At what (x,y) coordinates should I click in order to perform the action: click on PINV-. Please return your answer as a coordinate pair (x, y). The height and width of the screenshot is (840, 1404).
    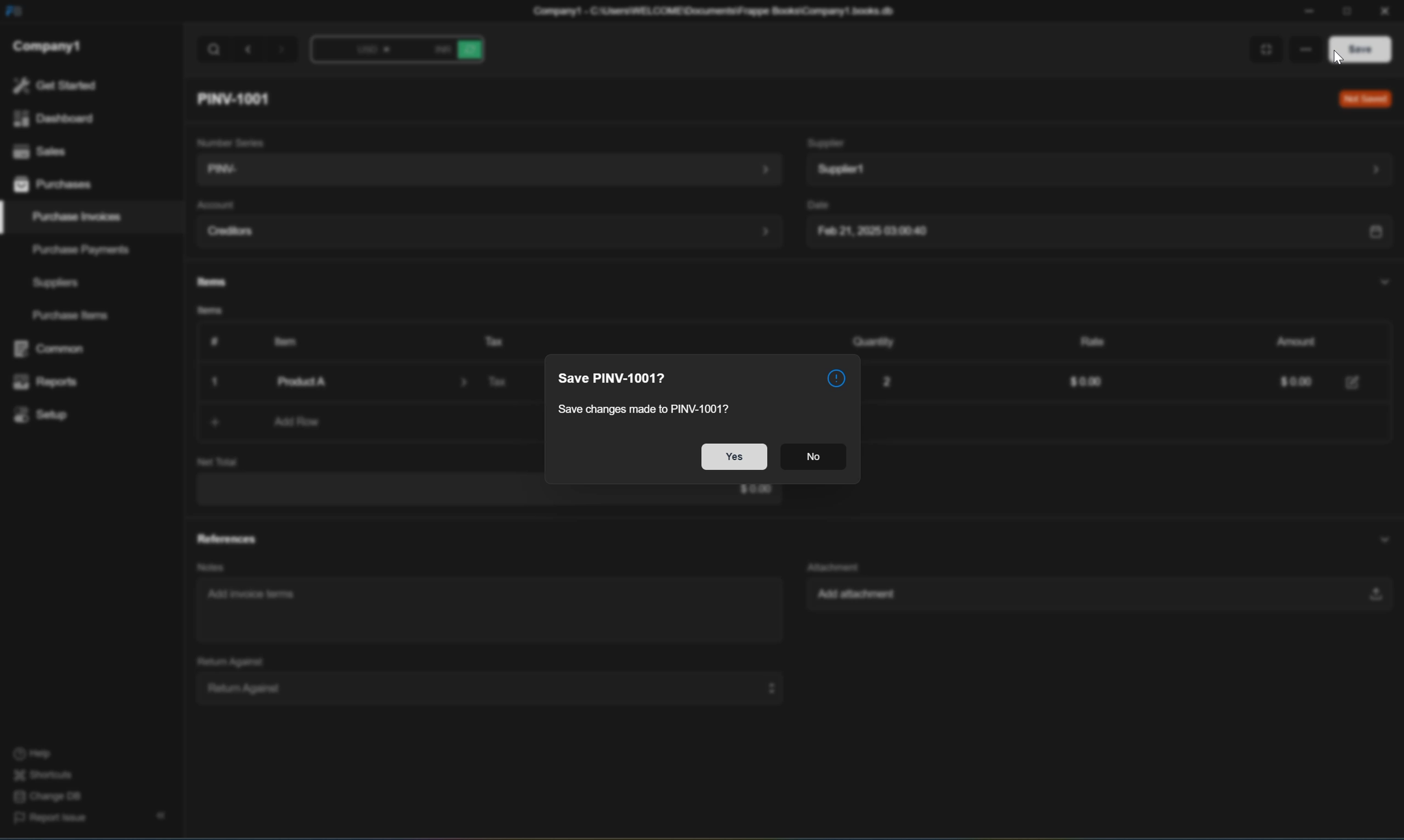
    Looking at the image, I should click on (485, 170).